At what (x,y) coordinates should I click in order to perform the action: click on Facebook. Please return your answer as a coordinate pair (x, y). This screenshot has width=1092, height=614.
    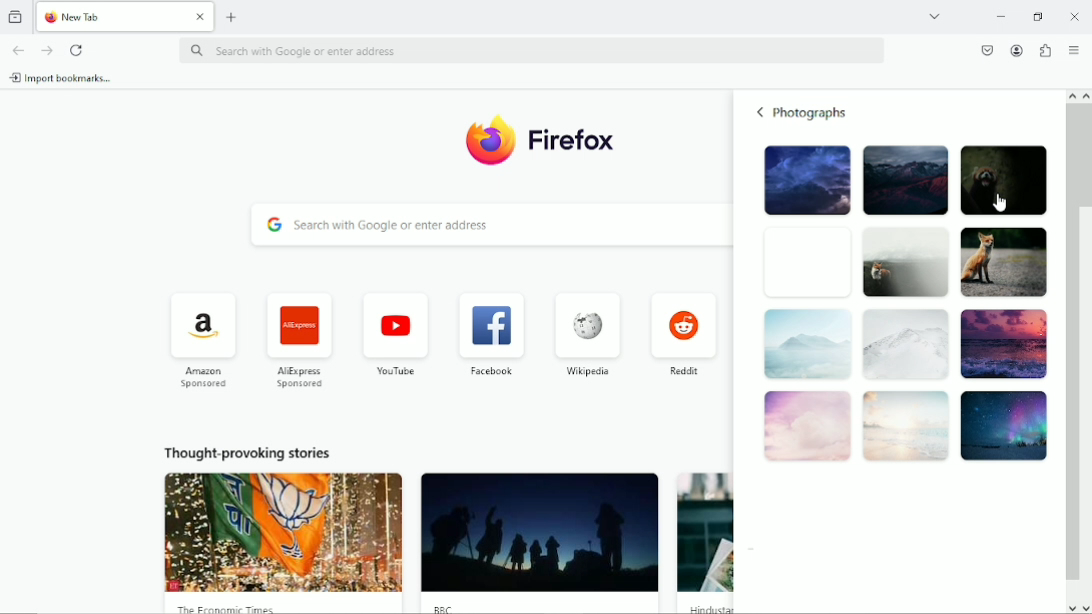
    Looking at the image, I should click on (491, 334).